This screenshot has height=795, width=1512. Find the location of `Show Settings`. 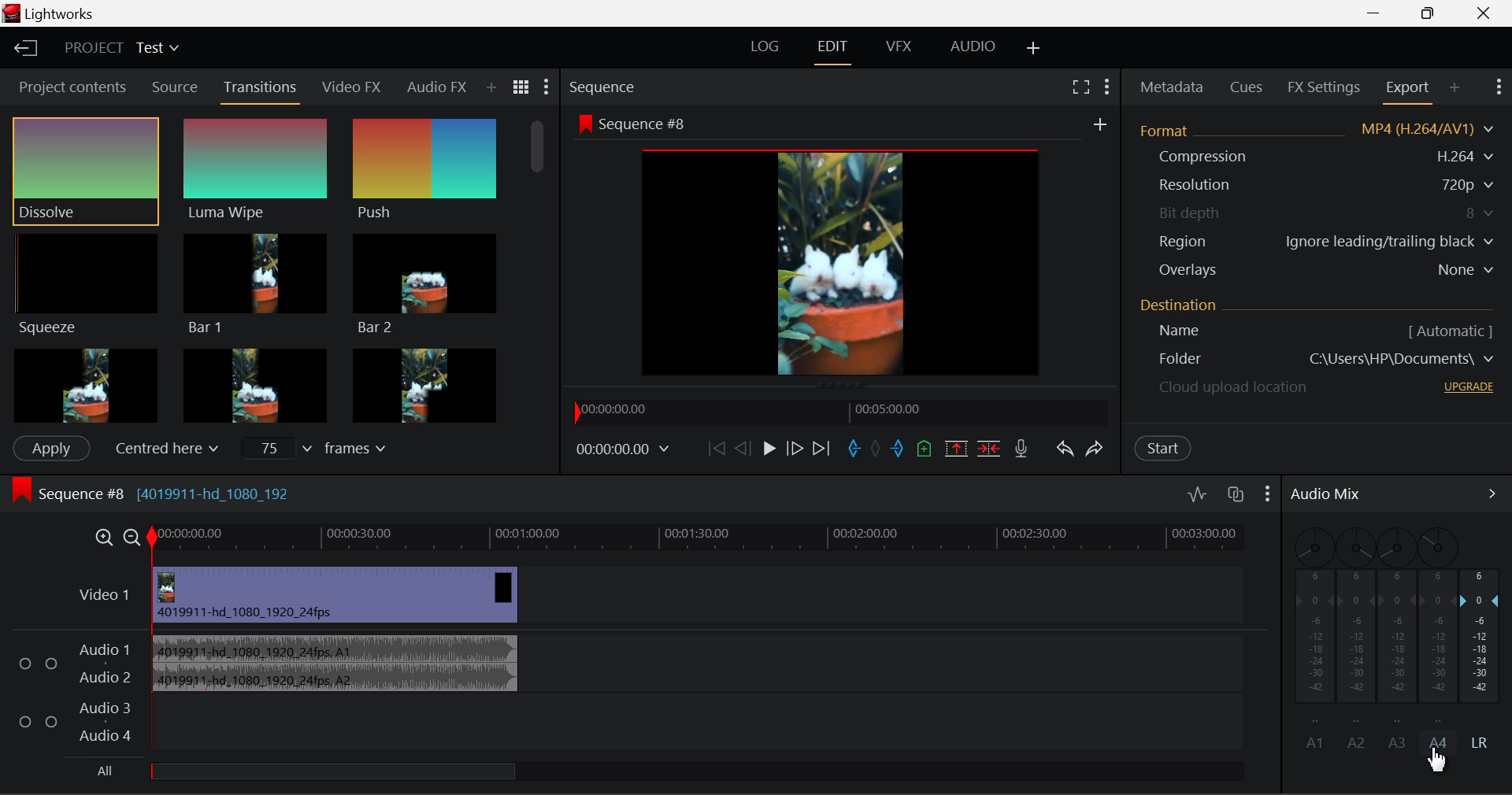

Show Settings is located at coordinates (1266, 498).